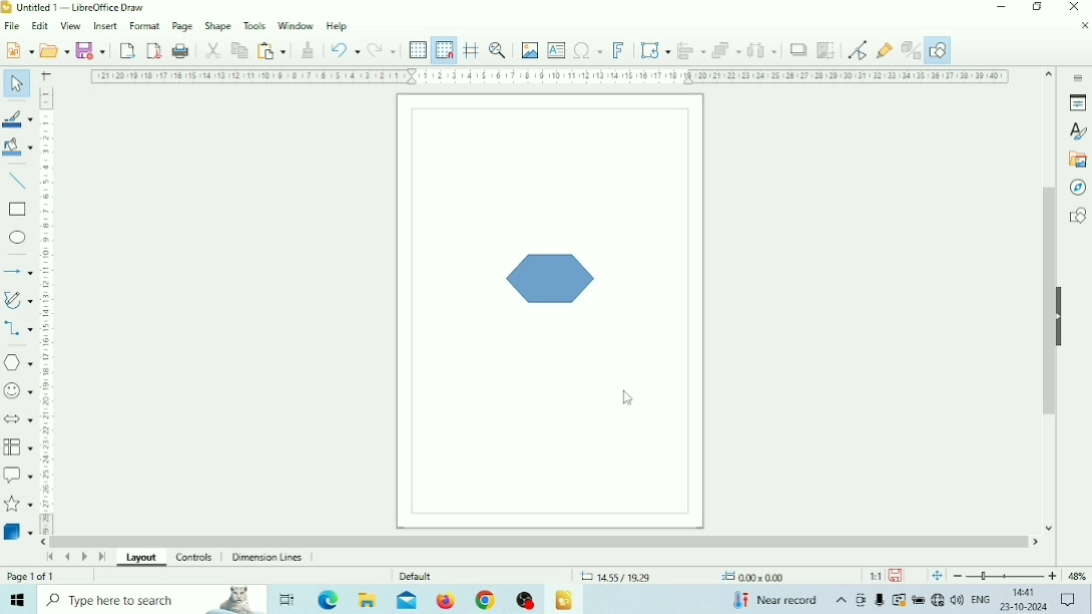 This screenshot has width=1092, height=614. I want to click on Tools, so click(255, 25).